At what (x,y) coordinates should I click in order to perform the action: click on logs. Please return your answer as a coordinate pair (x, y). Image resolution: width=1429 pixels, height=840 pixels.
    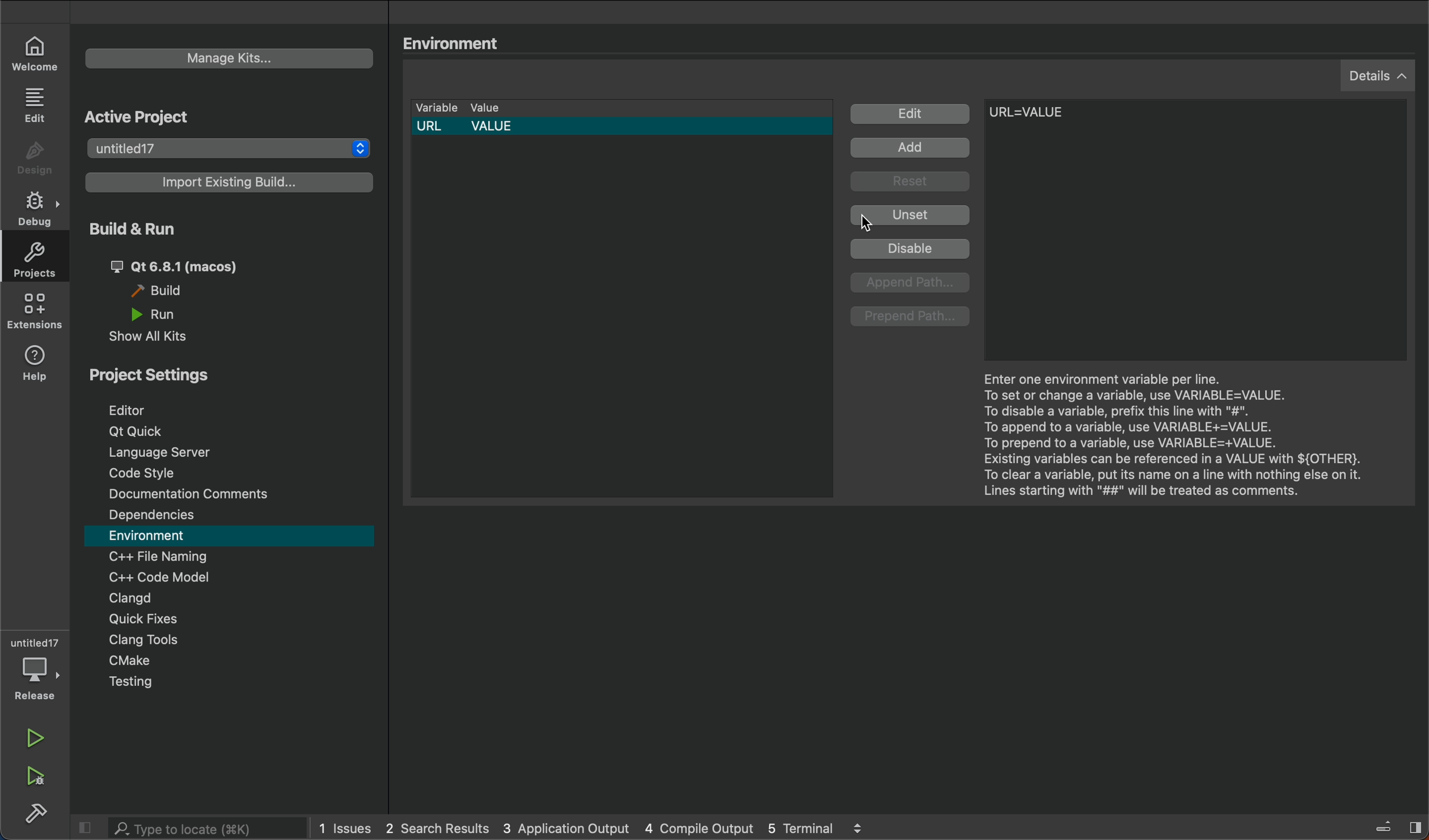
    Looking at the image, I should click on (598, 826).